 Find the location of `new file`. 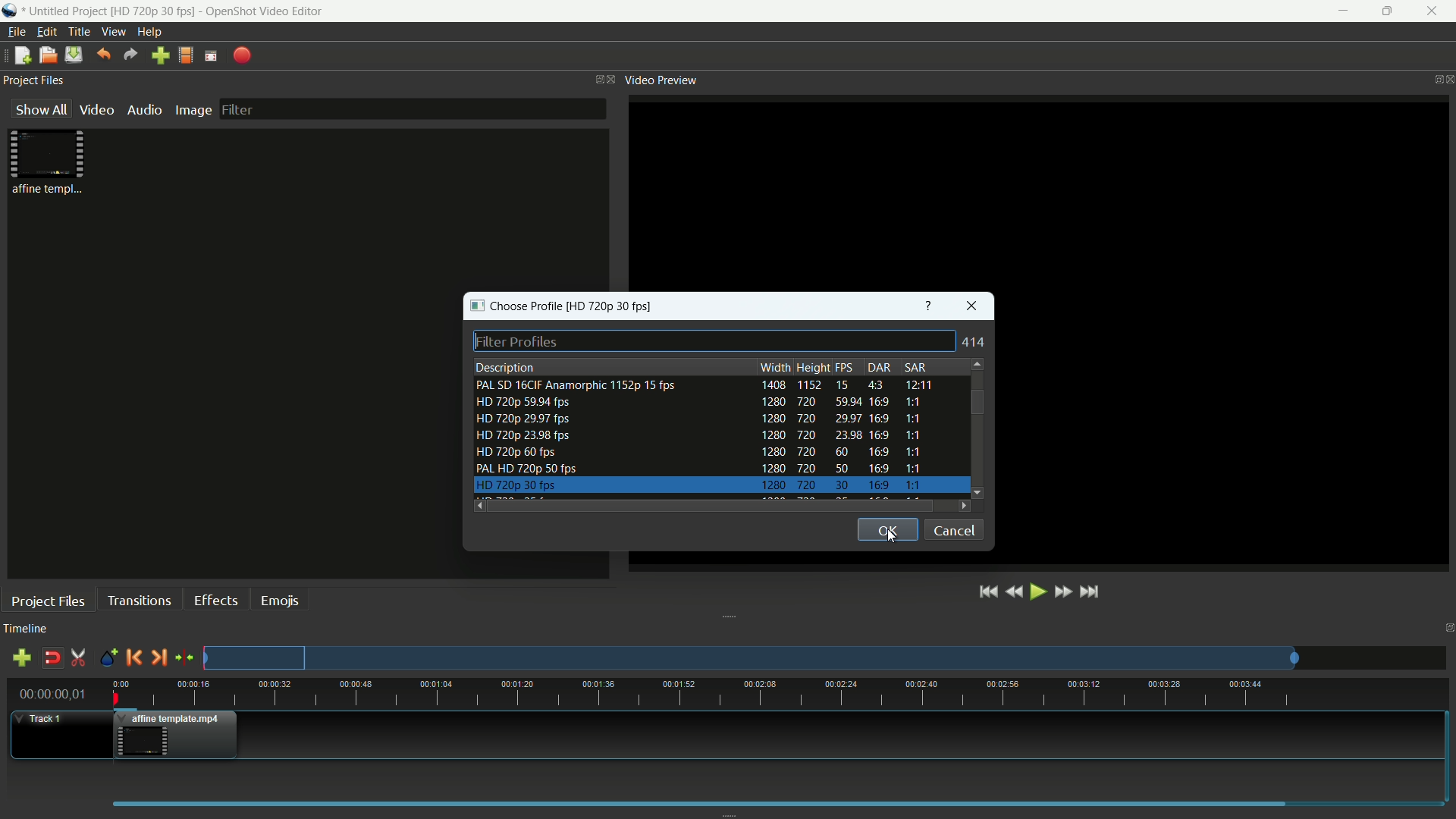

new file is located at coordinates (22, 56).